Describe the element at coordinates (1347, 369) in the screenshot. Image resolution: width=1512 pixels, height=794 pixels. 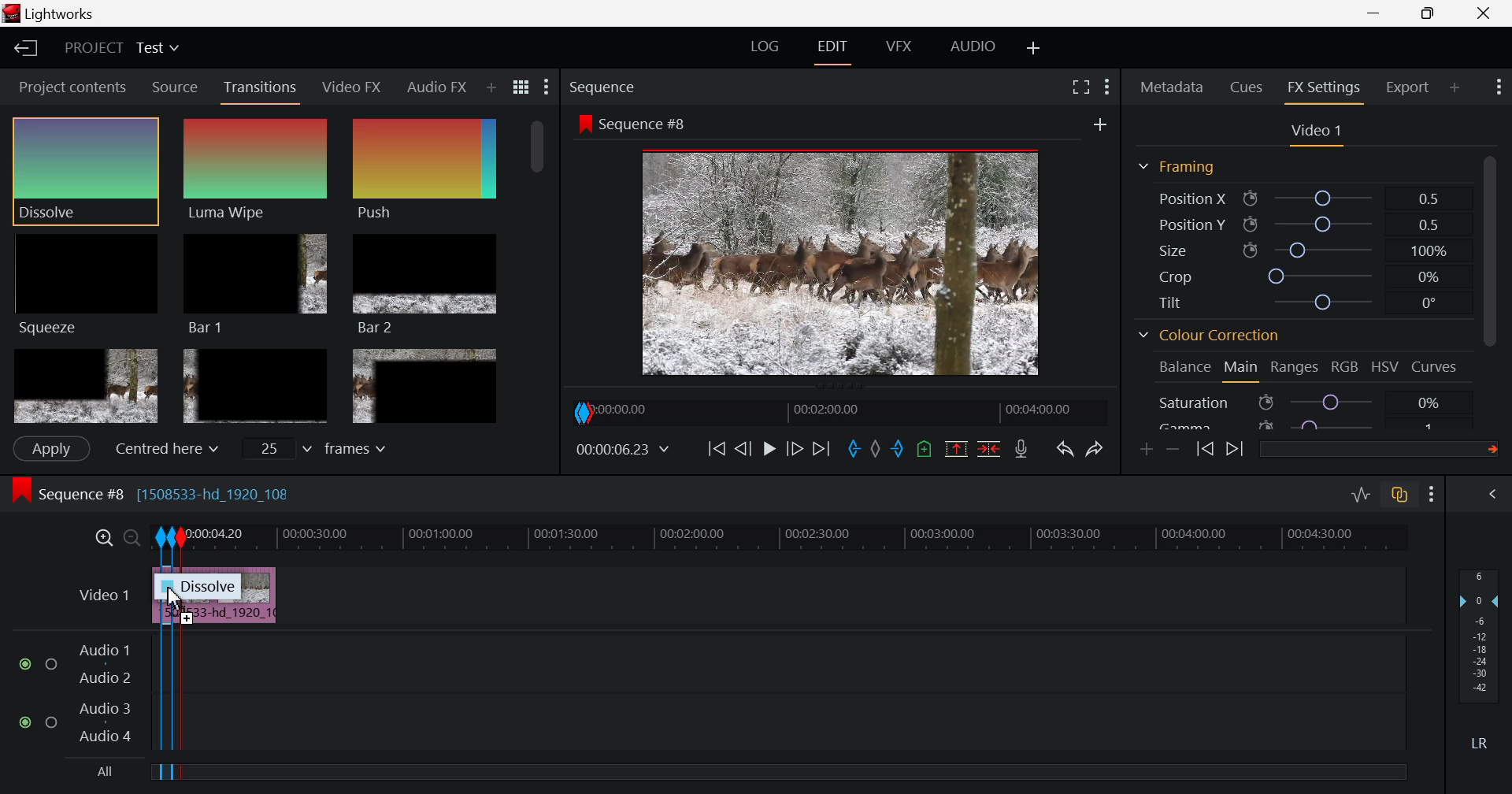
I see `RGB Tab` at that location.